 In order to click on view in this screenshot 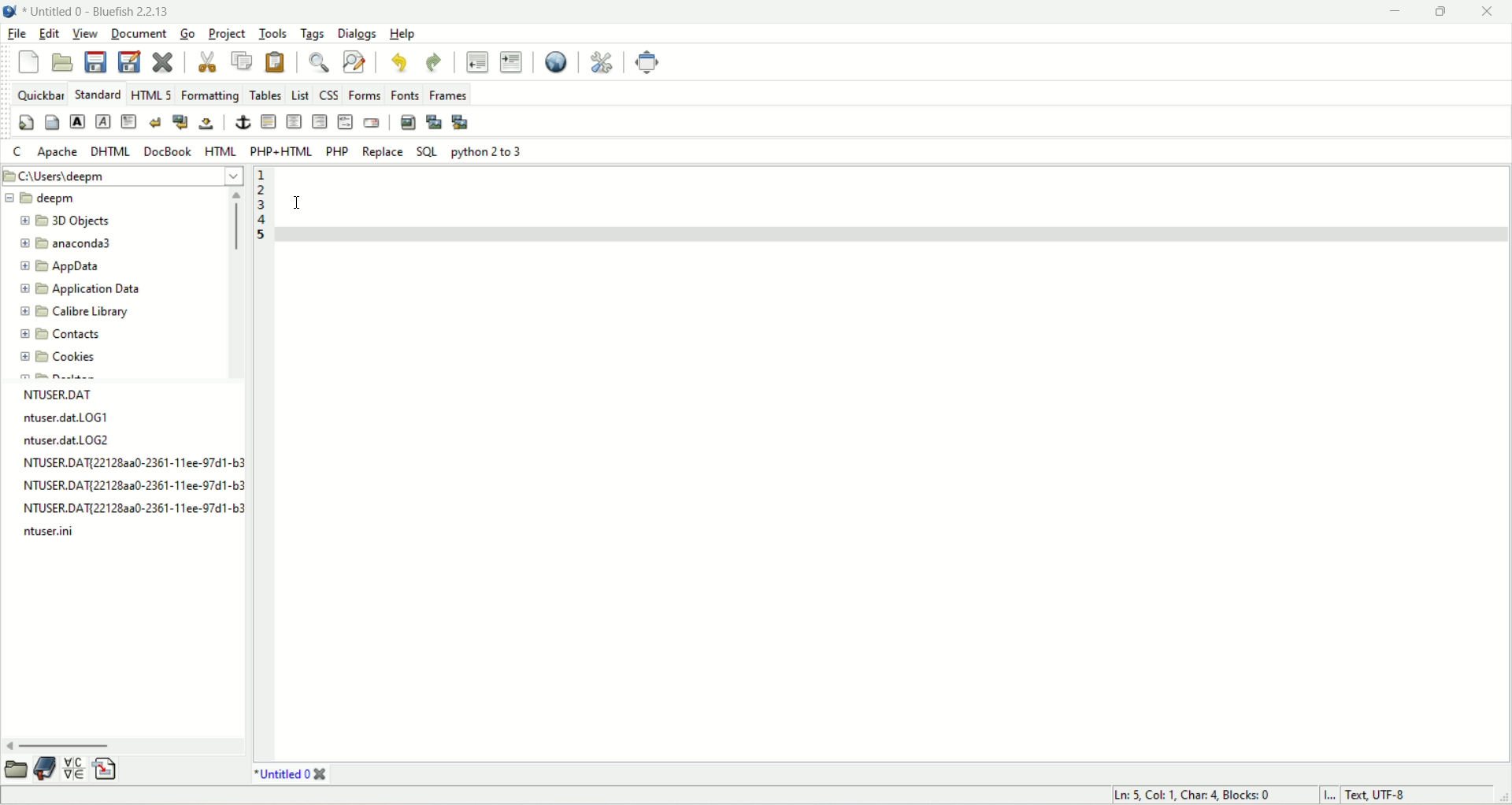, I will do `click(85, 35)`.